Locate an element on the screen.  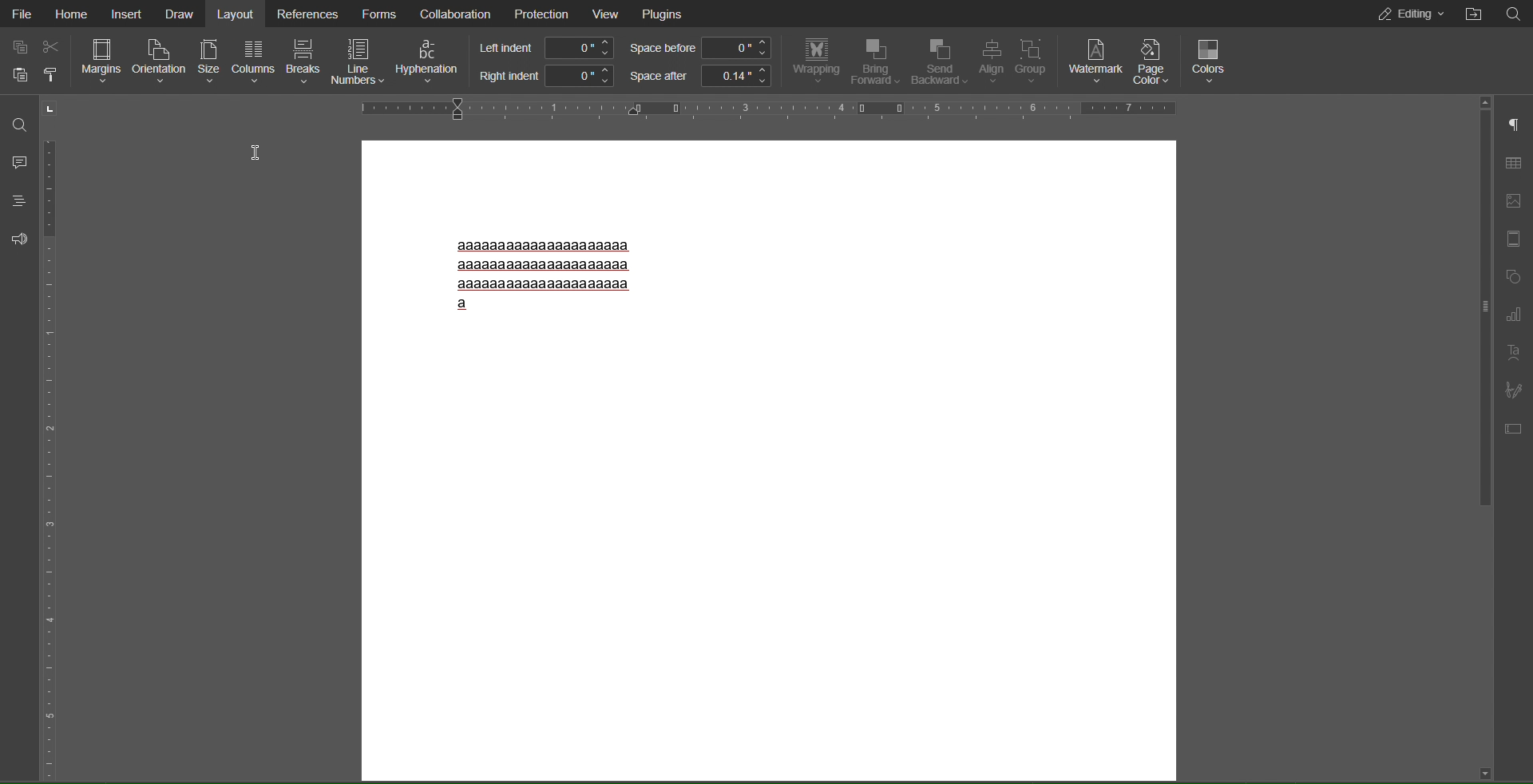
aaaaaaaaaaaaaaaaaaaaa
aaaaaaaaaaaaaaaaaaaaa
aaaaaaaaaaaaaaaaaaaaa
a is located at coordinates (541, 274).